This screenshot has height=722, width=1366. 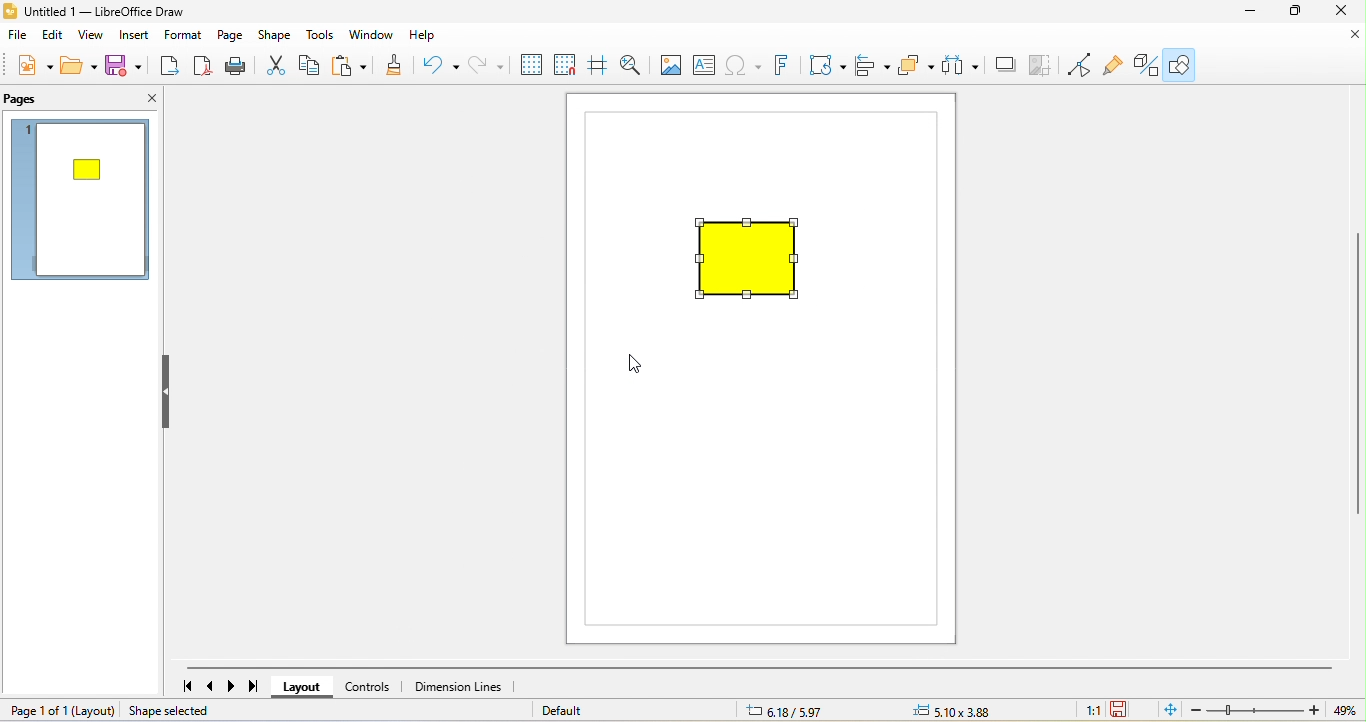 What do you see at coordinates (1114, 64) in the screenshot?
I see `show gluepoint function` at bounding box center [1114, 64].